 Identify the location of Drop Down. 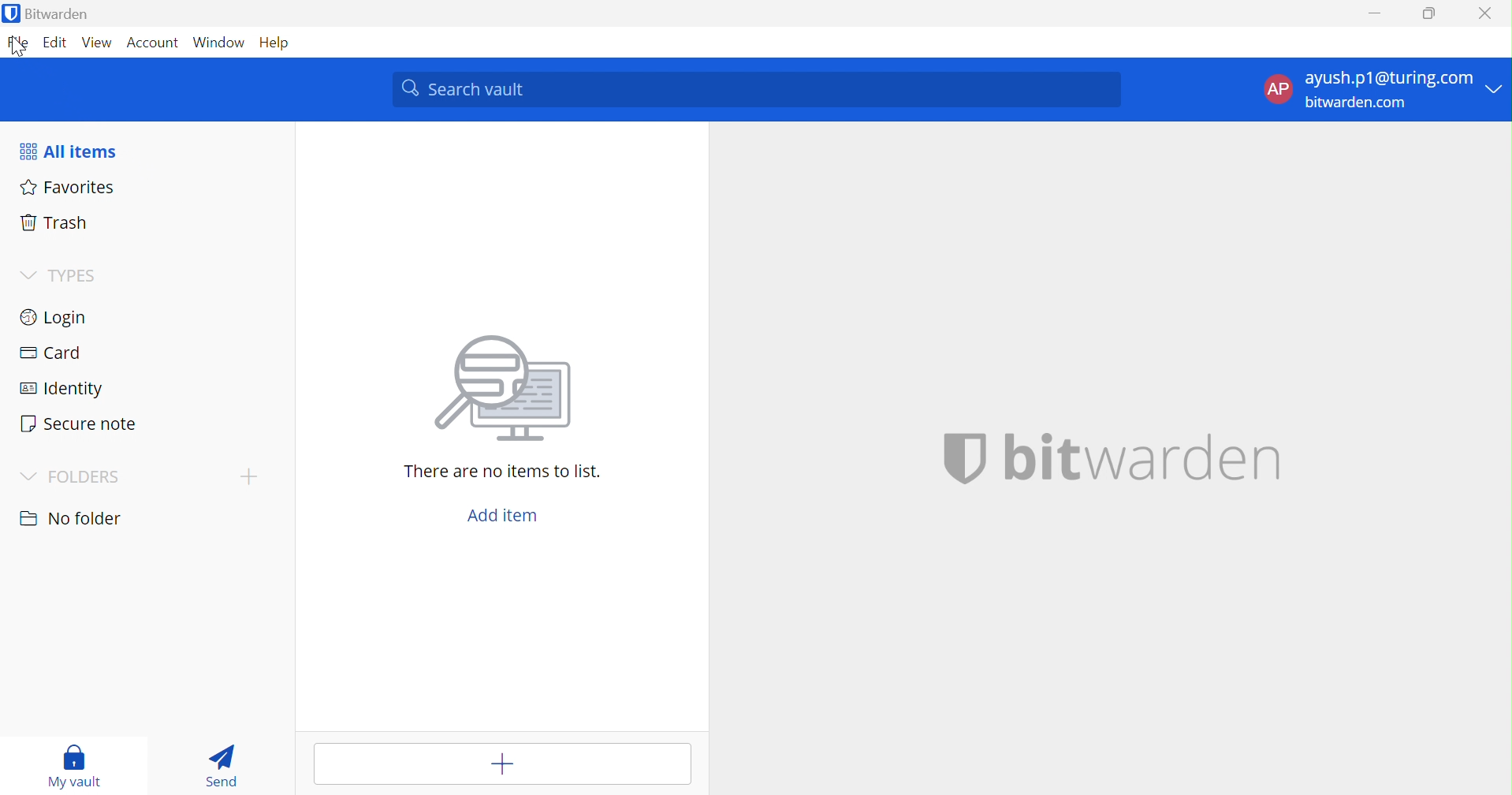
(28, 275).